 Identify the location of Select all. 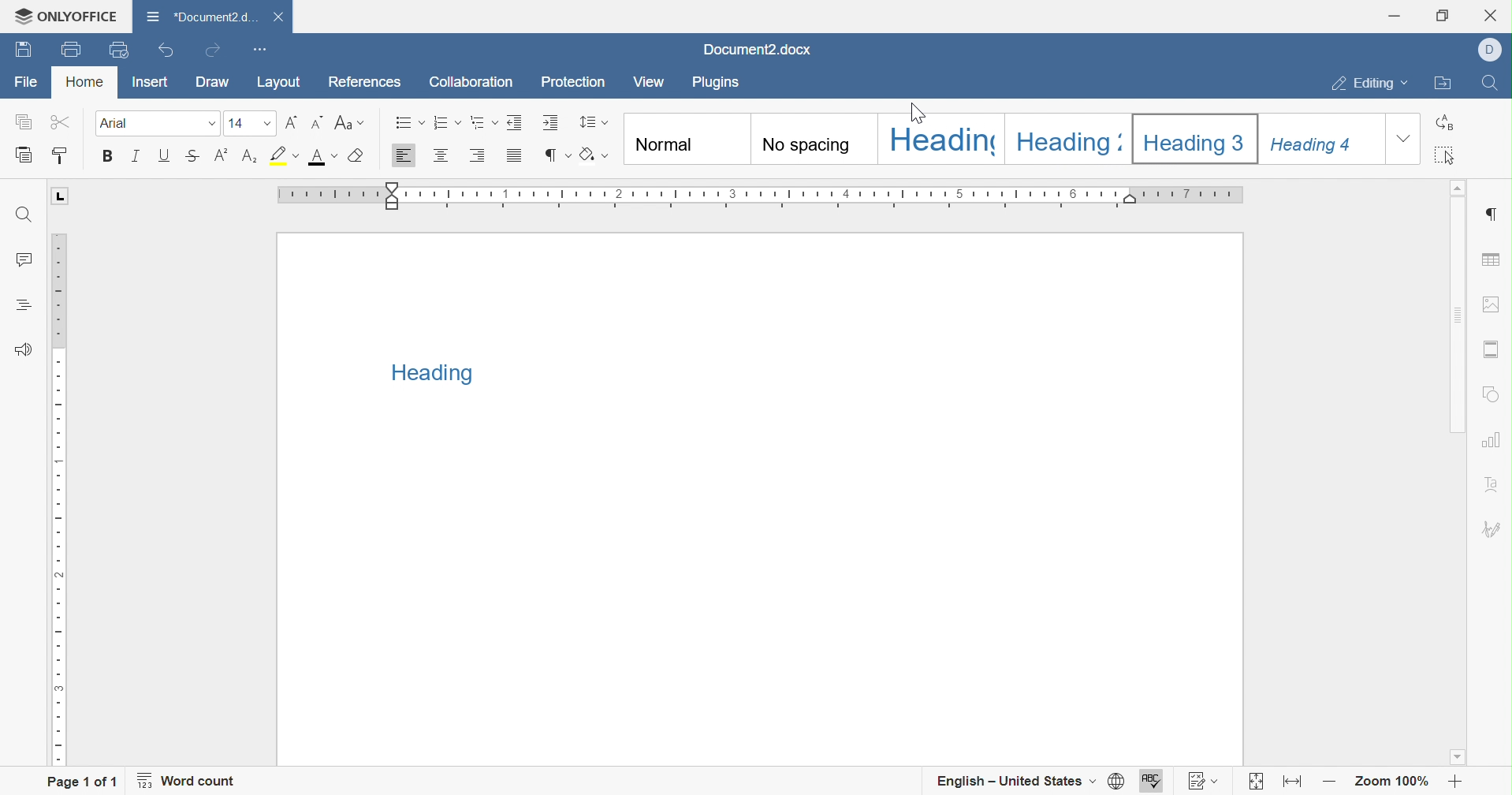
(1447, 155).